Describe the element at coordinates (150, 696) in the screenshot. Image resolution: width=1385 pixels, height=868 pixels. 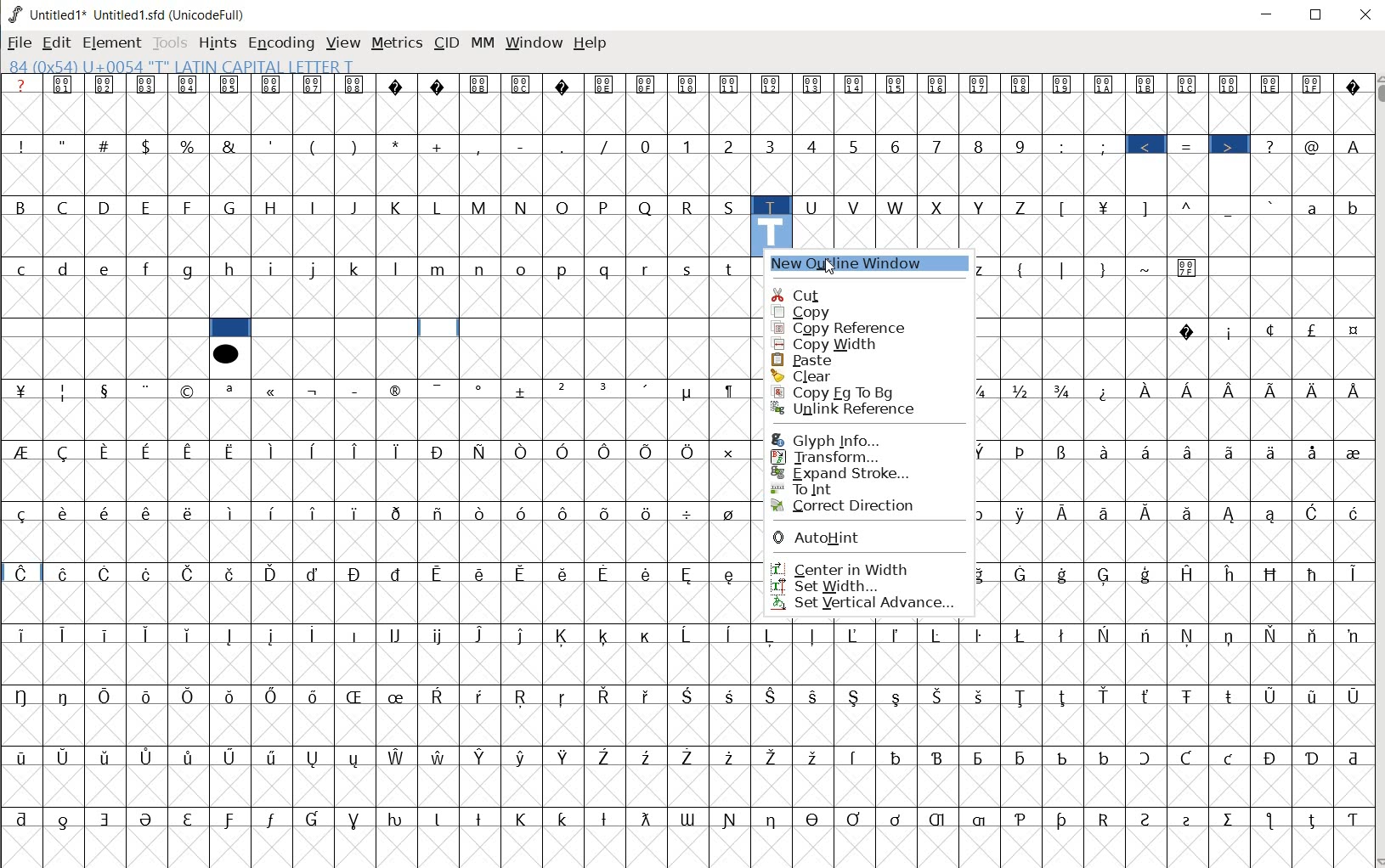
I see `Symbol` at that location.